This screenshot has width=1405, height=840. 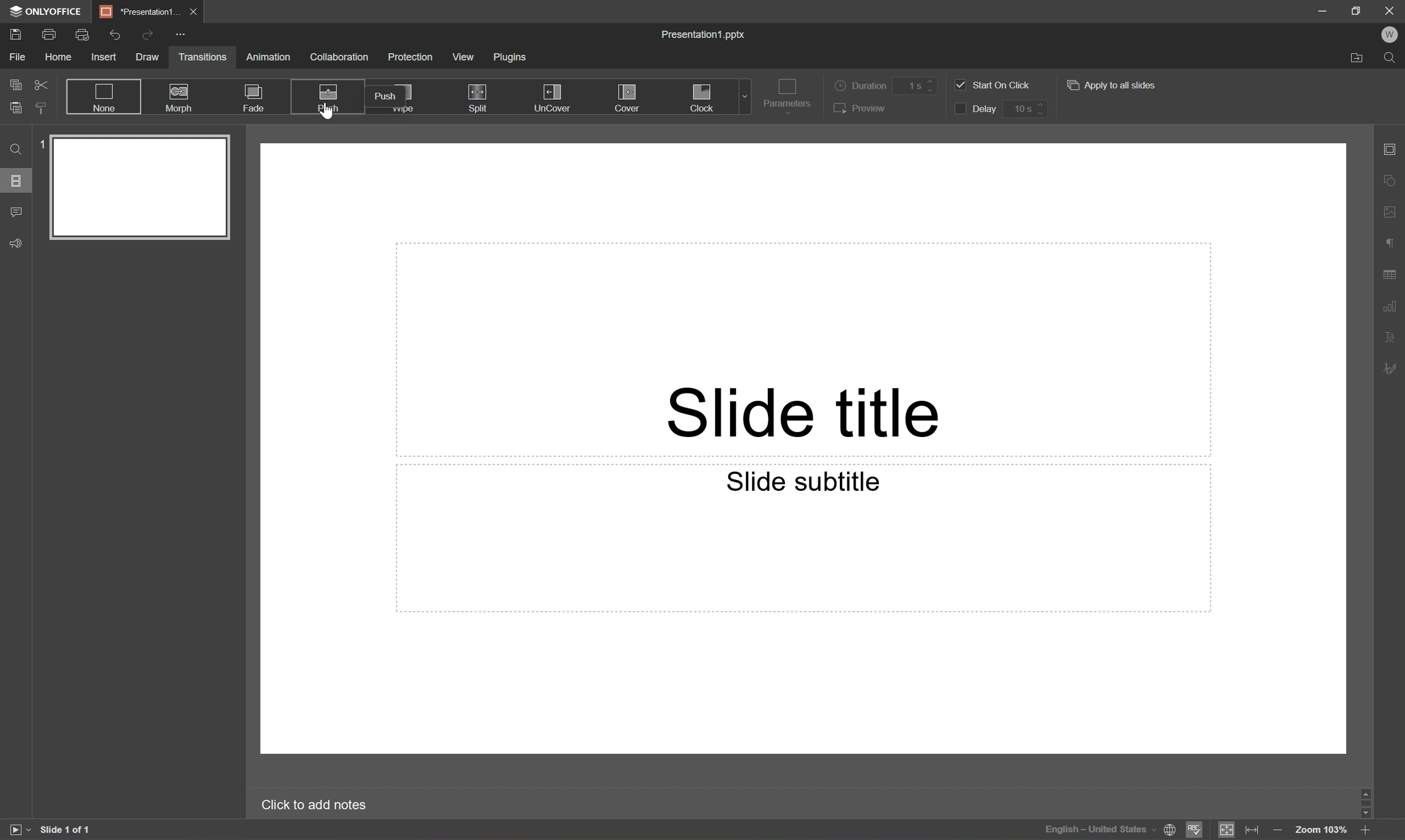 I want to click on W, so click(x=1389, y=33).